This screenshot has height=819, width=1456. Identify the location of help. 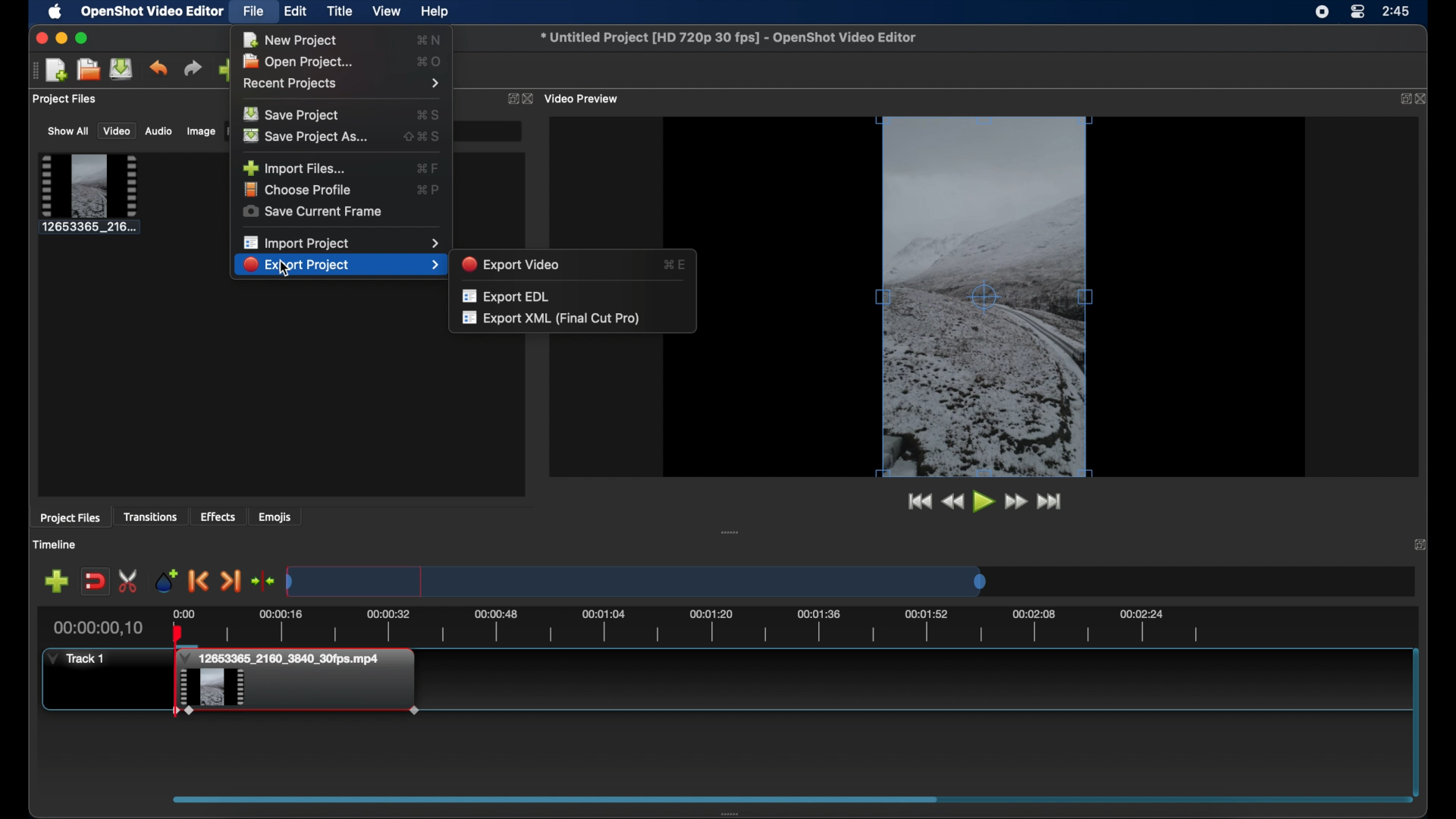
(437, 11).